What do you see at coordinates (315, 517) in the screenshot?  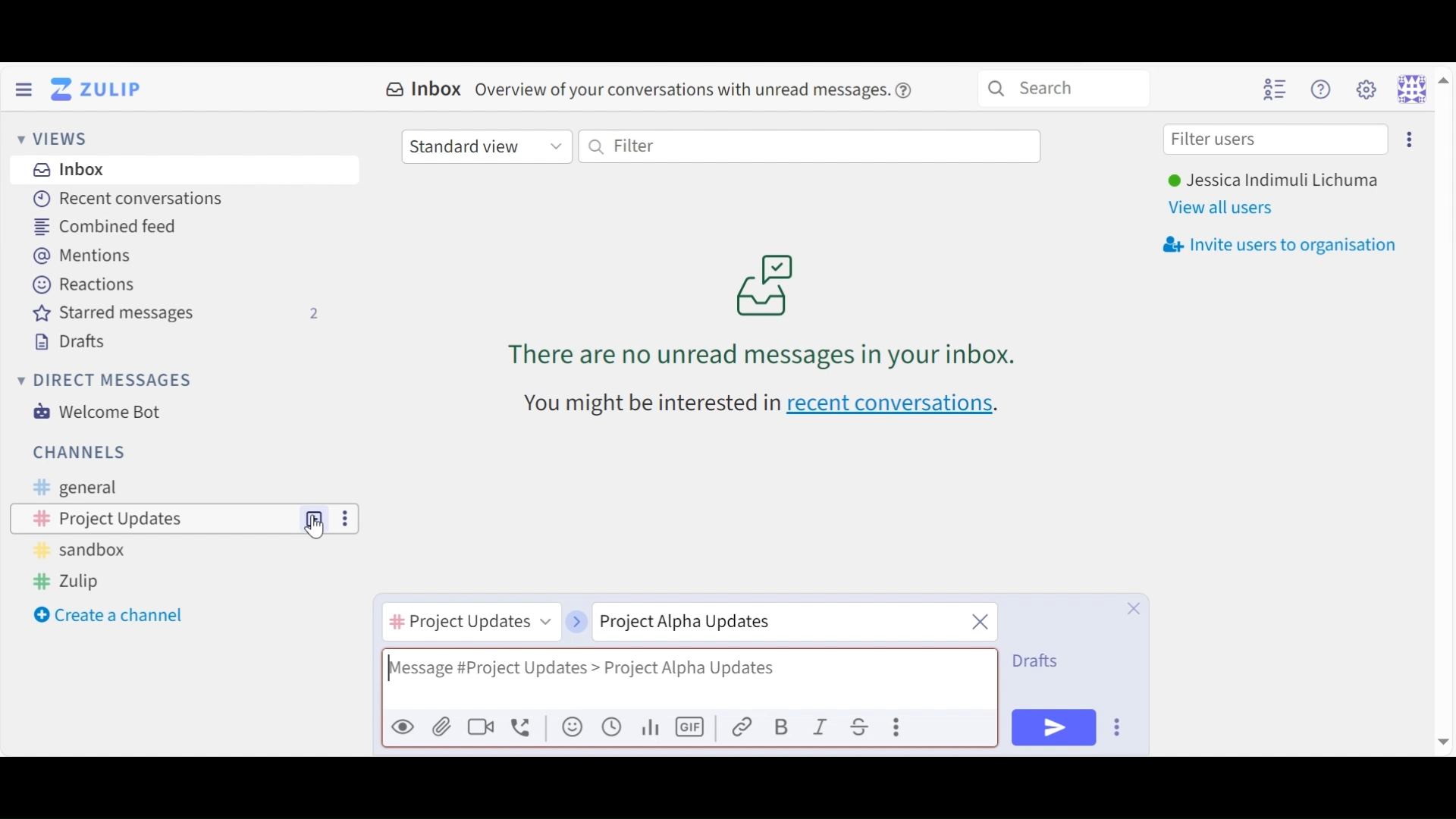 I see `New Topic` at bounding box center [315, 517].